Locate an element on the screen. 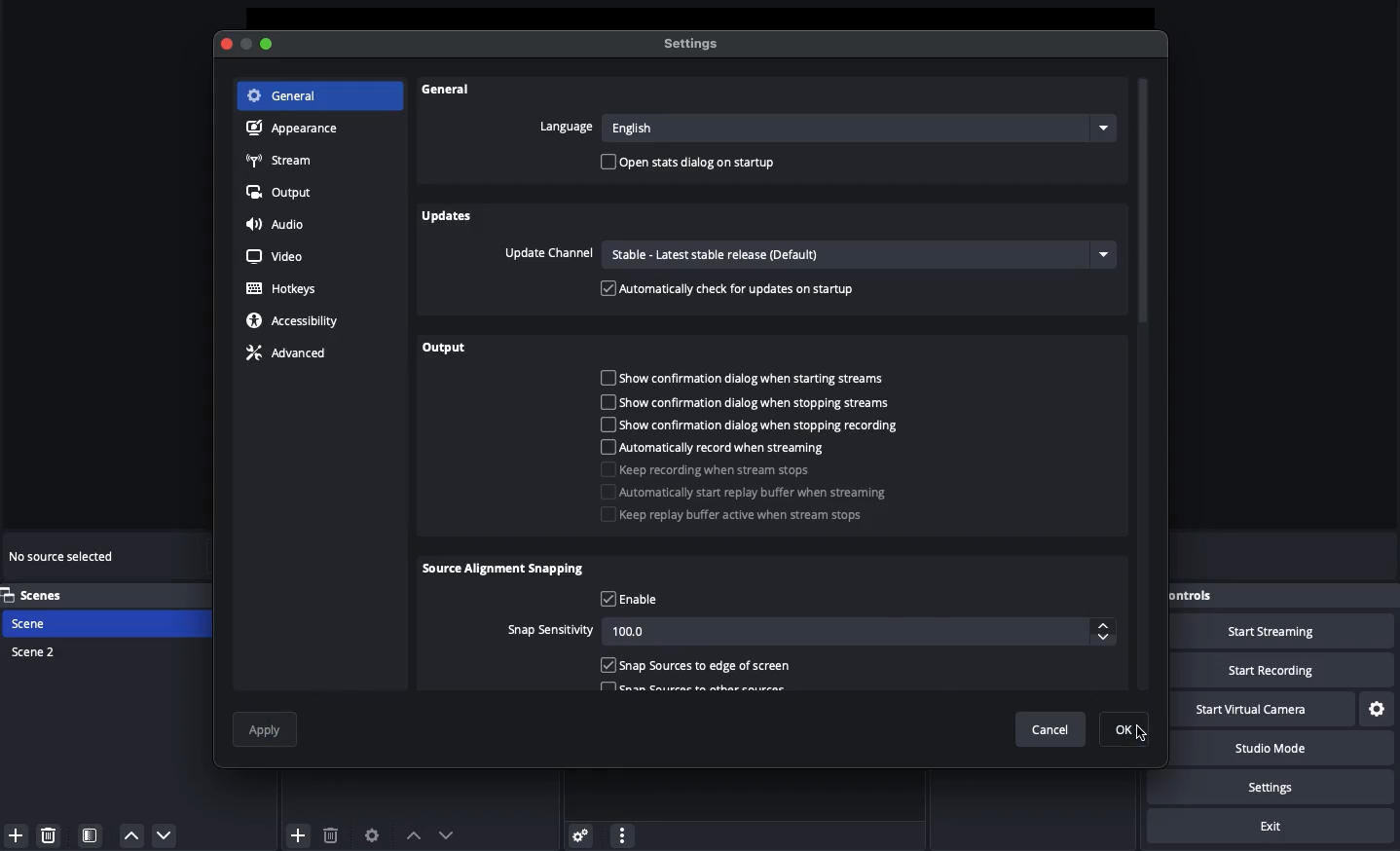 The image size is (1400, 851). Add is located at coordinates (298, 833).